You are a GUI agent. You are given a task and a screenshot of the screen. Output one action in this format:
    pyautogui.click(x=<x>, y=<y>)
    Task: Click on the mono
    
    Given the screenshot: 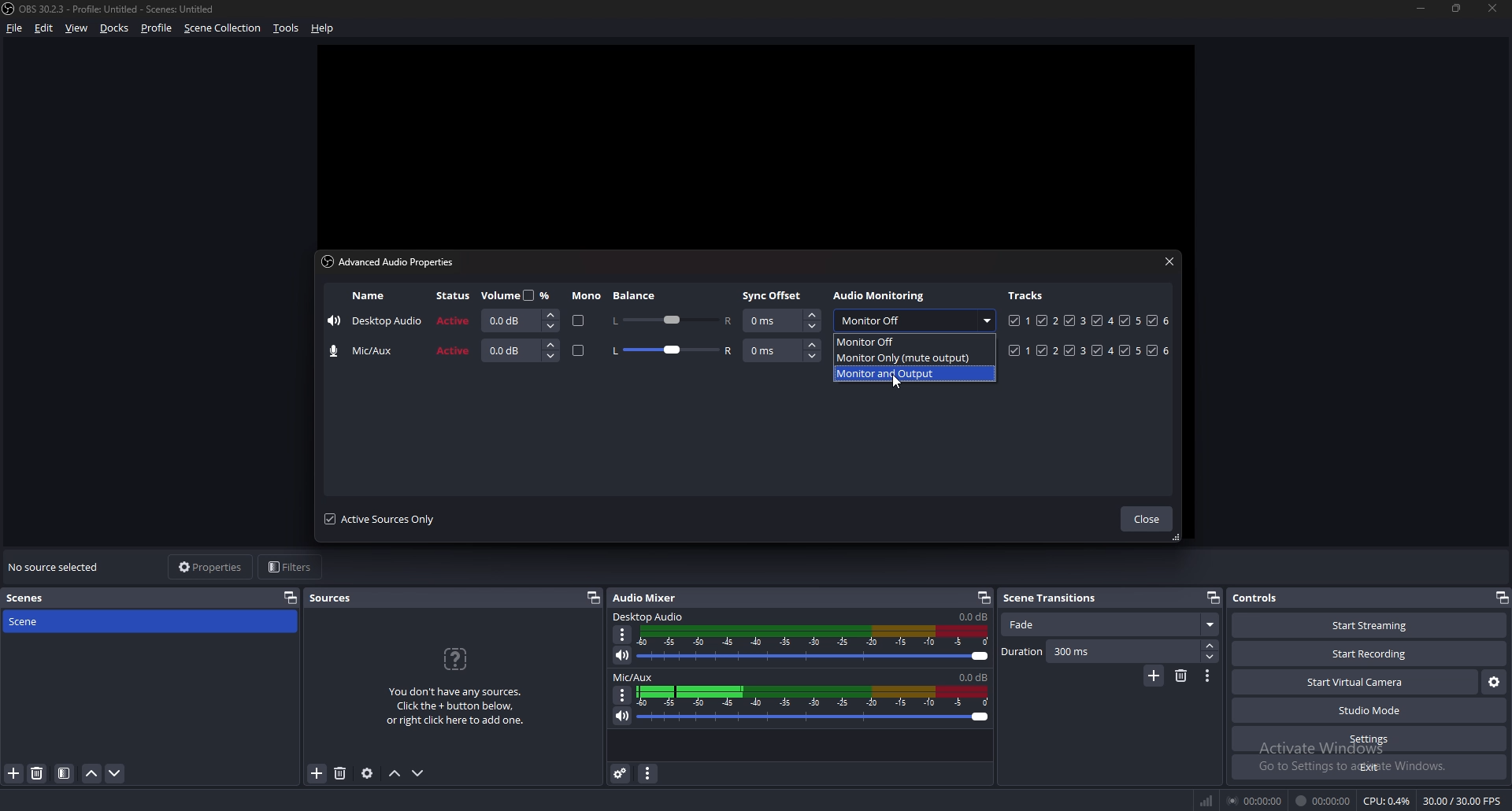 What is the action you would take?
    pyautogui.click(x=579, y=352)
    